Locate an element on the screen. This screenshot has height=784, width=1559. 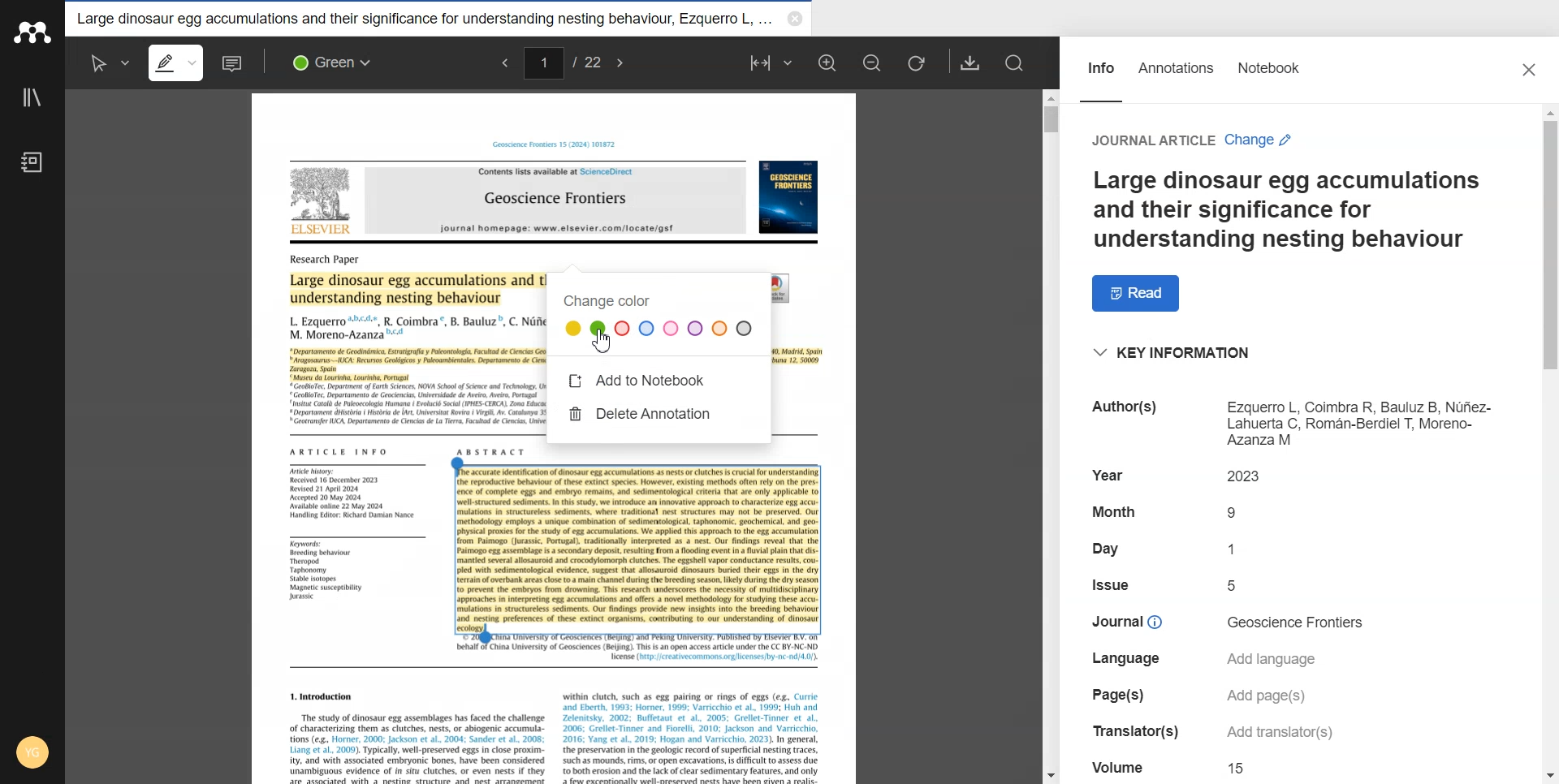
text is located at coordinates (1235, 585).